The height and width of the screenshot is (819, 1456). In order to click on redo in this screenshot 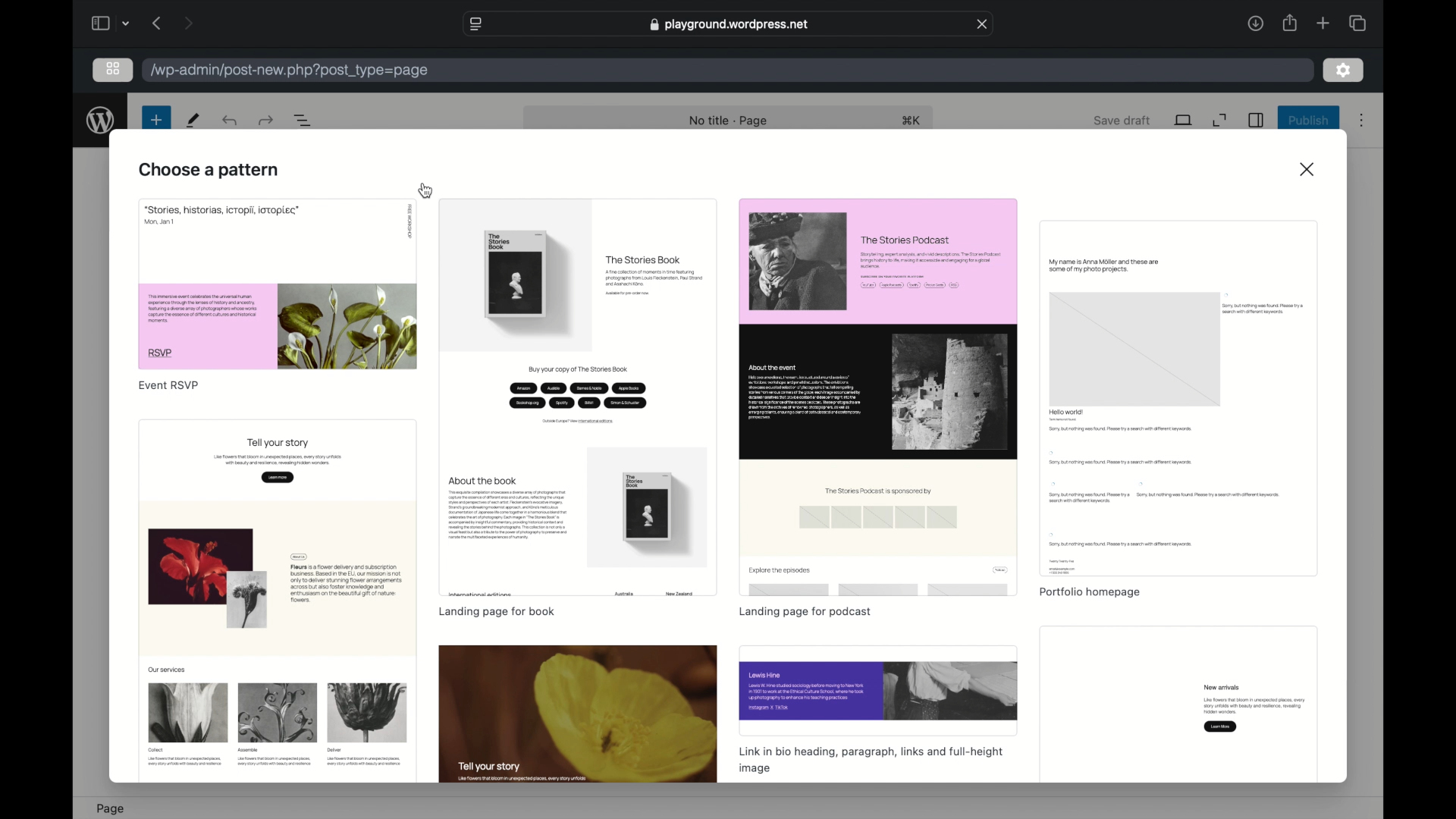, I will do `click(231, 120)`.